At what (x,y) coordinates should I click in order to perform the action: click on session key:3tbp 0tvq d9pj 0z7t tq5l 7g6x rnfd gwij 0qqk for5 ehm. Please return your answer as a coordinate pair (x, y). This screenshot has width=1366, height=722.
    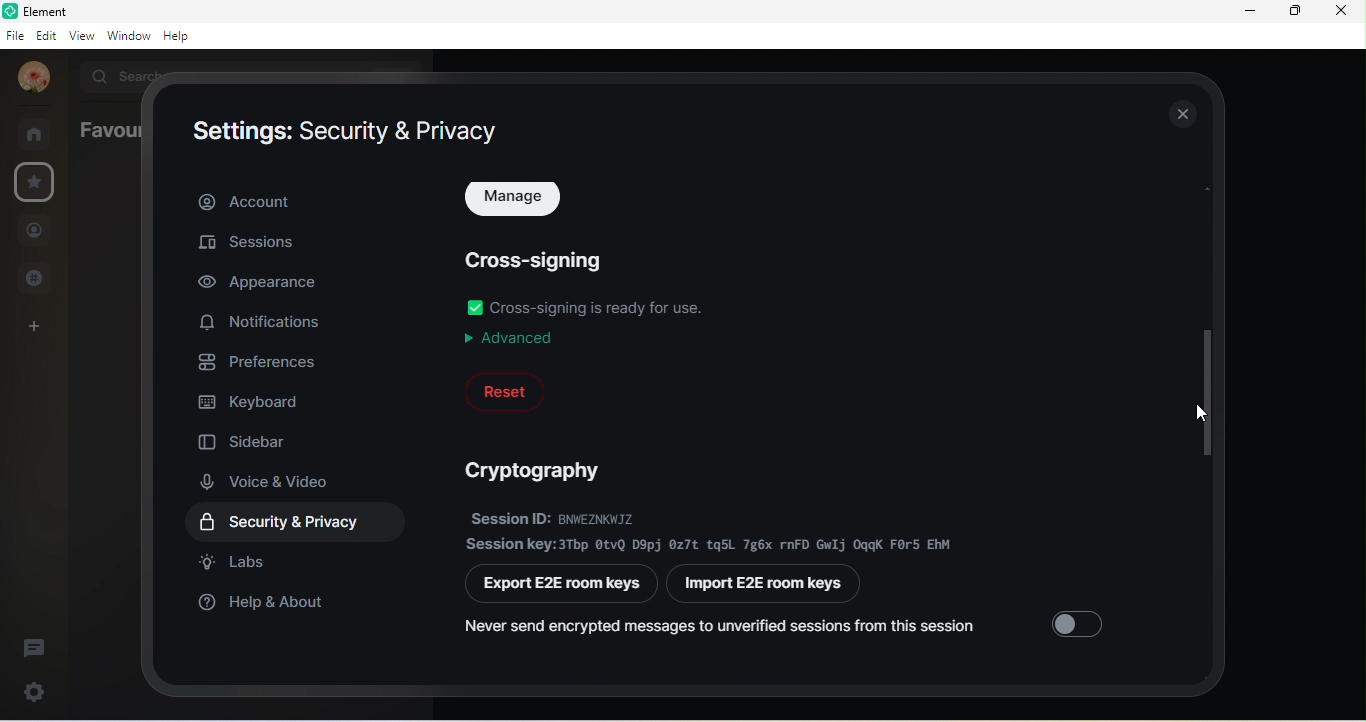
    Looking at the image, I should click on (712, 544).